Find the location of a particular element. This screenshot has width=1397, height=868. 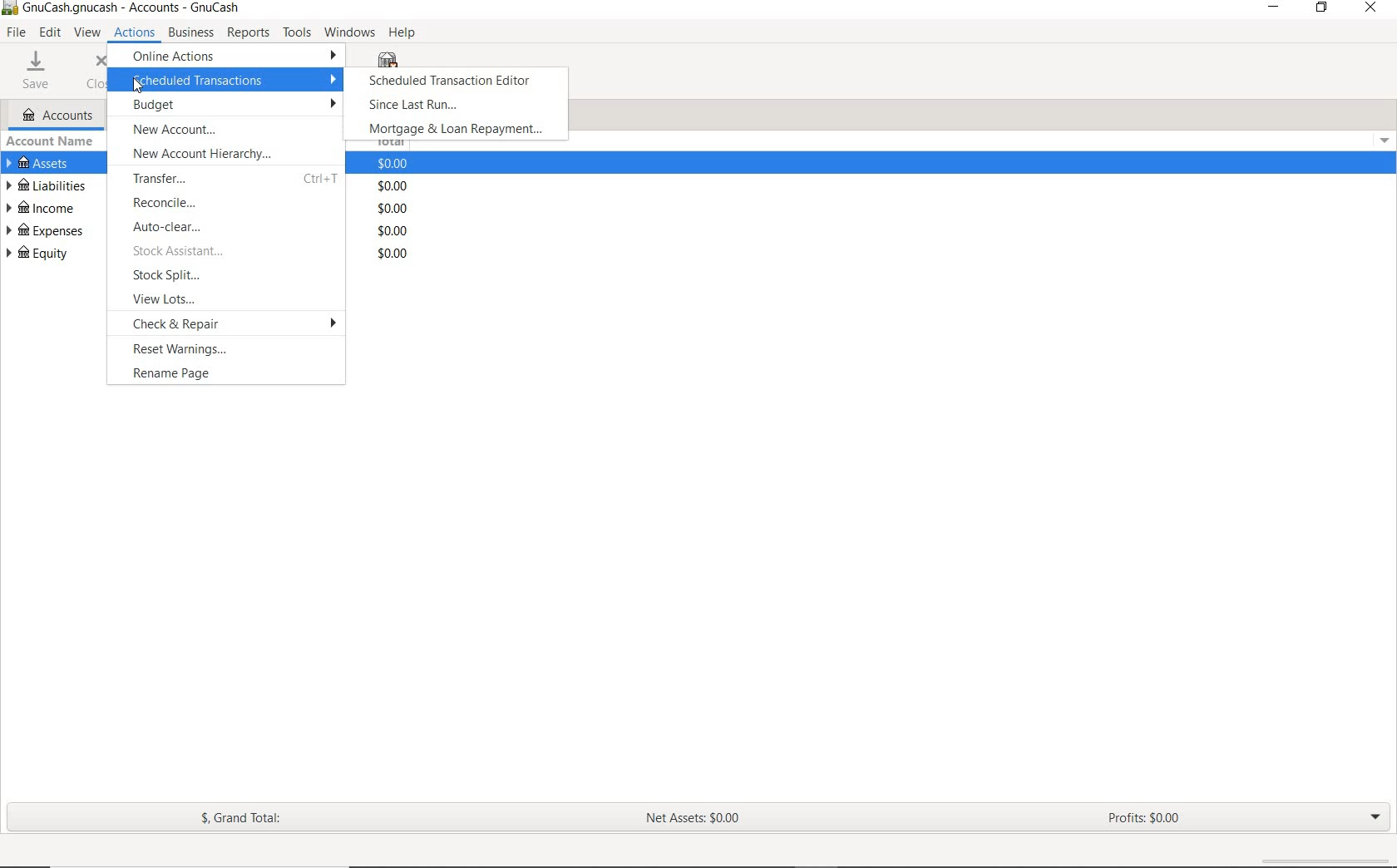

LIABILITIES is located at coordinates (46, 185).